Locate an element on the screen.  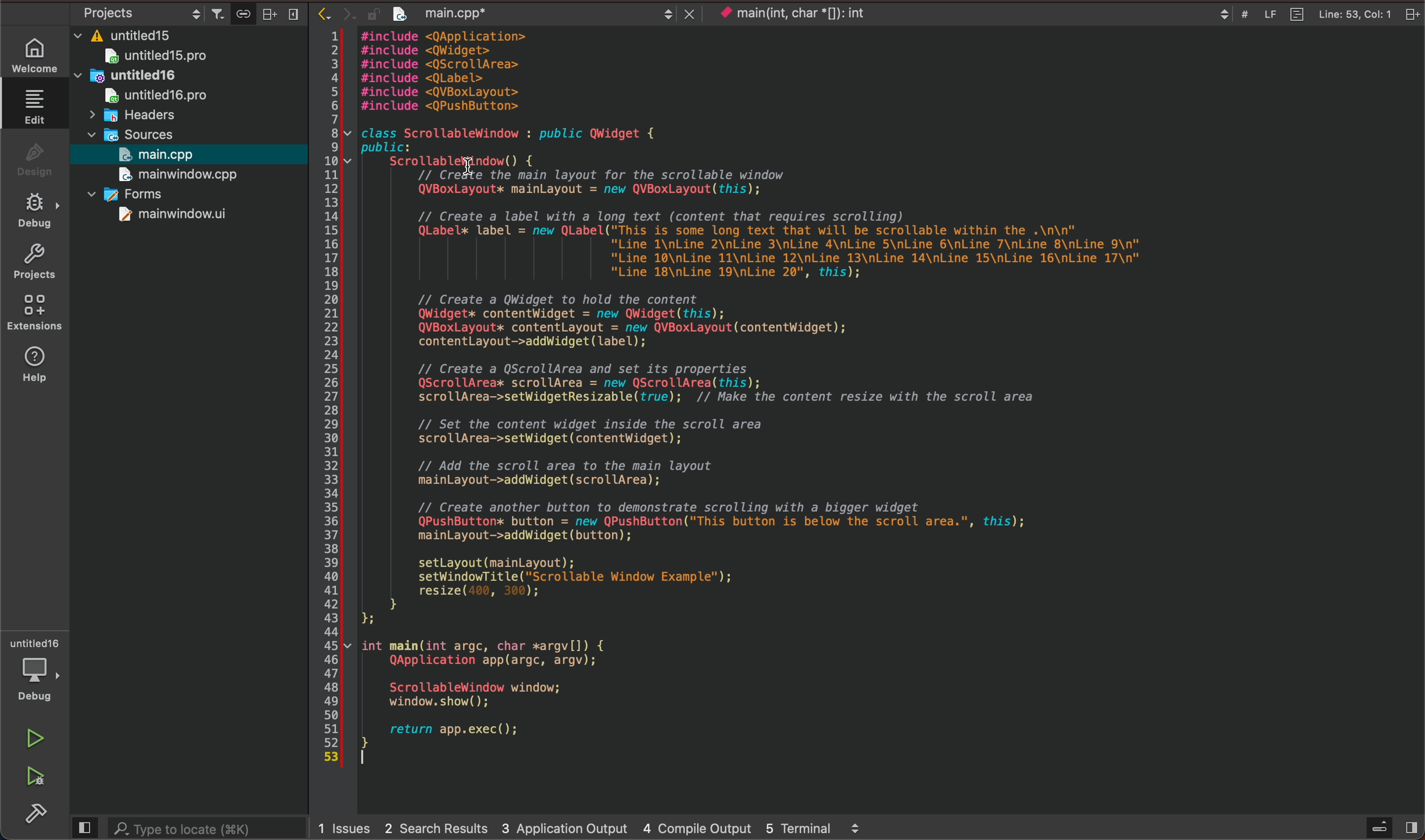
logs is located at coordinates (602, 826).